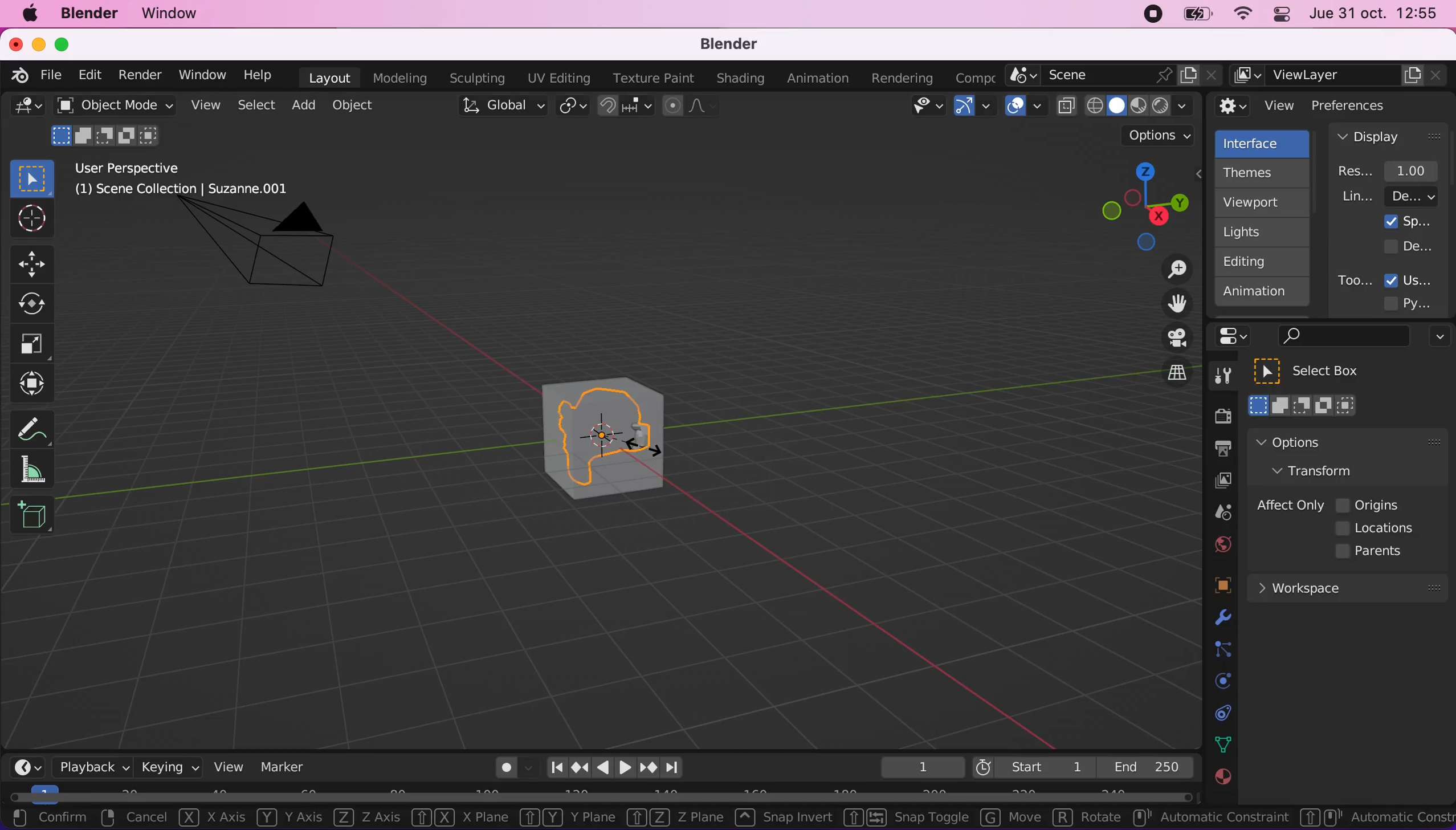 This screenshot has height=830, width=1456. Describe the element at coordinates (1193, 17) in the screenshot. I see `battery` at that location.